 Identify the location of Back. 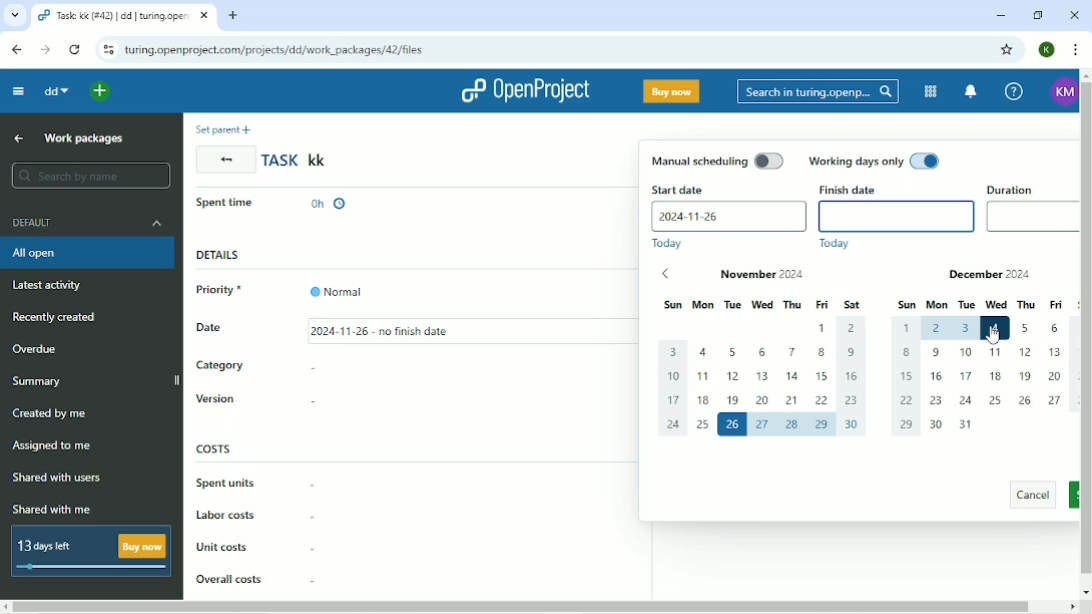
(16, 50).